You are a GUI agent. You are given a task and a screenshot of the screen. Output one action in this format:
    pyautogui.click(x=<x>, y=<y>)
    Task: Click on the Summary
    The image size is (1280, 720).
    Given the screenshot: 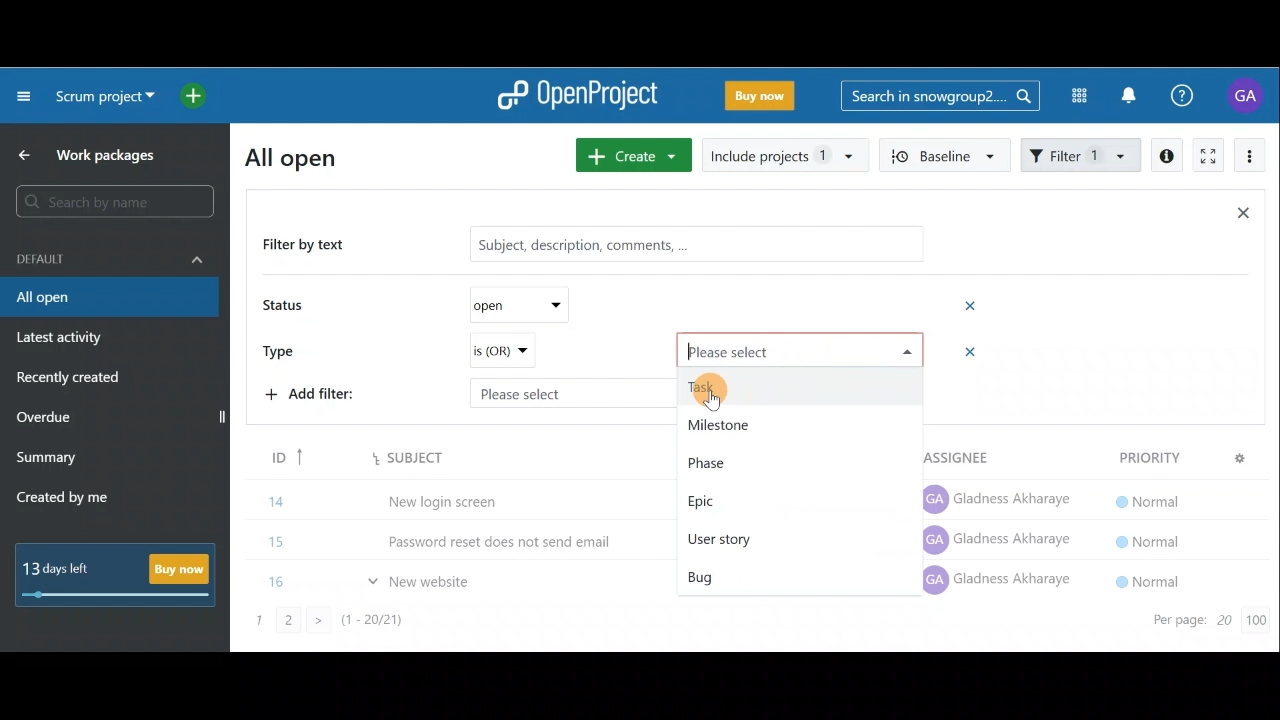 What is the action you would take?
    pyautogui.click(x=47, y=460)
    